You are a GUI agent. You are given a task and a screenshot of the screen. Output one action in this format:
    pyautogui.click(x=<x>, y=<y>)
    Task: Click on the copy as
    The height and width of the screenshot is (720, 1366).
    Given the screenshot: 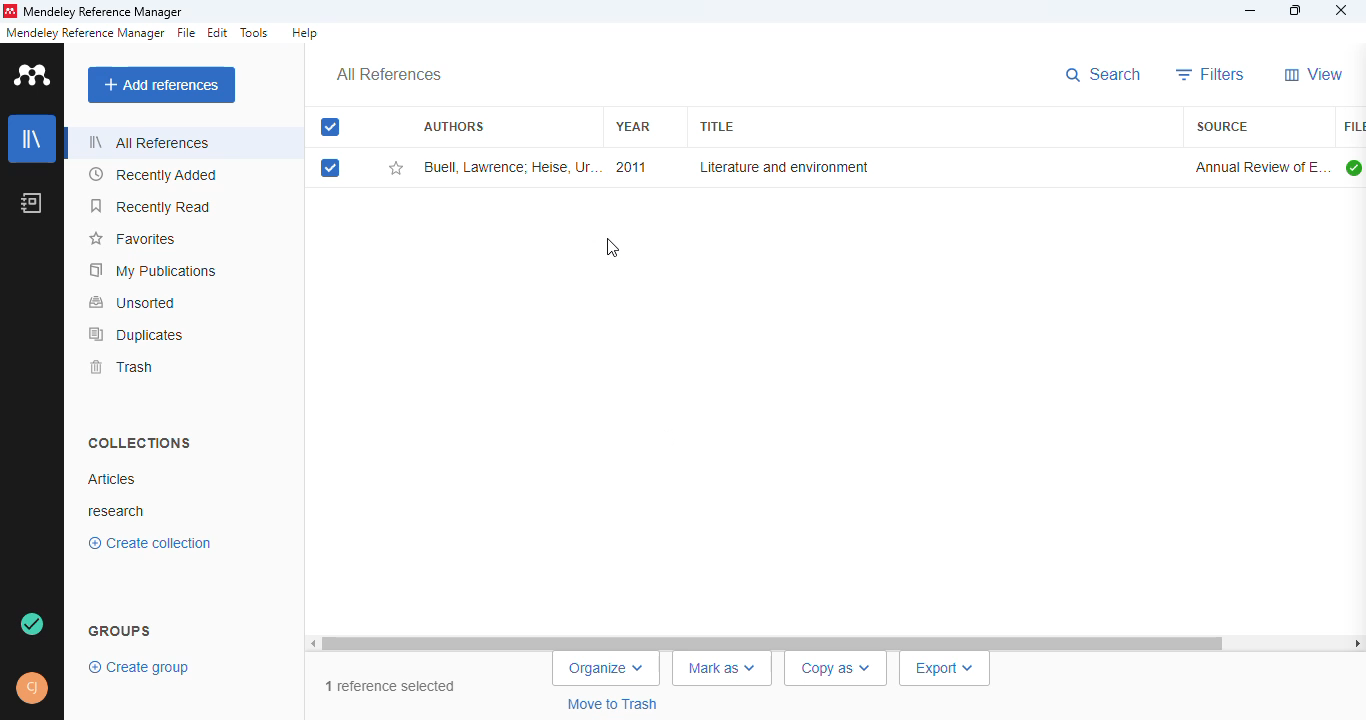 What is the action you would take?
    pyautogui.click(x=838, y=668)
    